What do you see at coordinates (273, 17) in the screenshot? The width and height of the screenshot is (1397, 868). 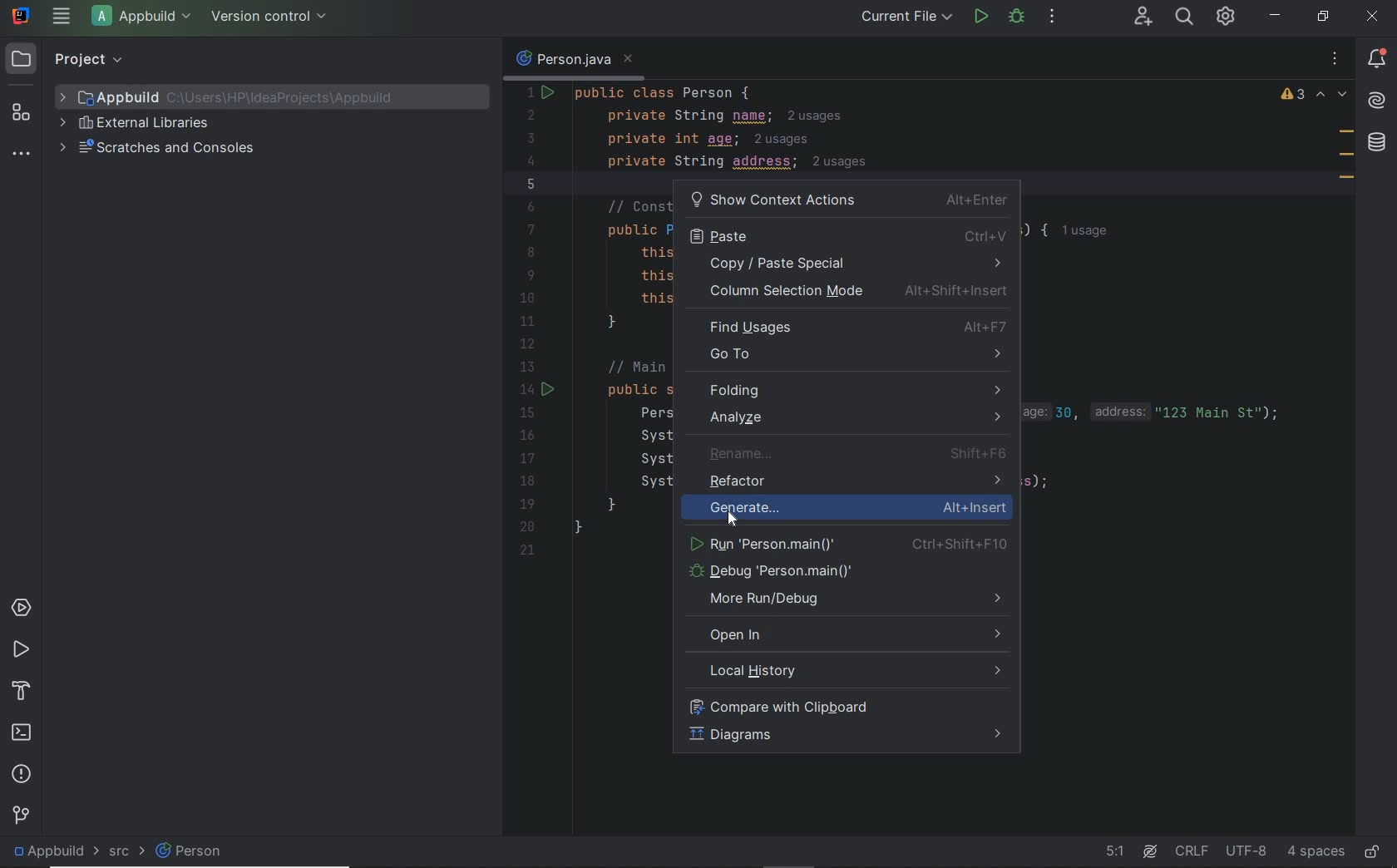 I see `version control` at bounding box center [273, 17].